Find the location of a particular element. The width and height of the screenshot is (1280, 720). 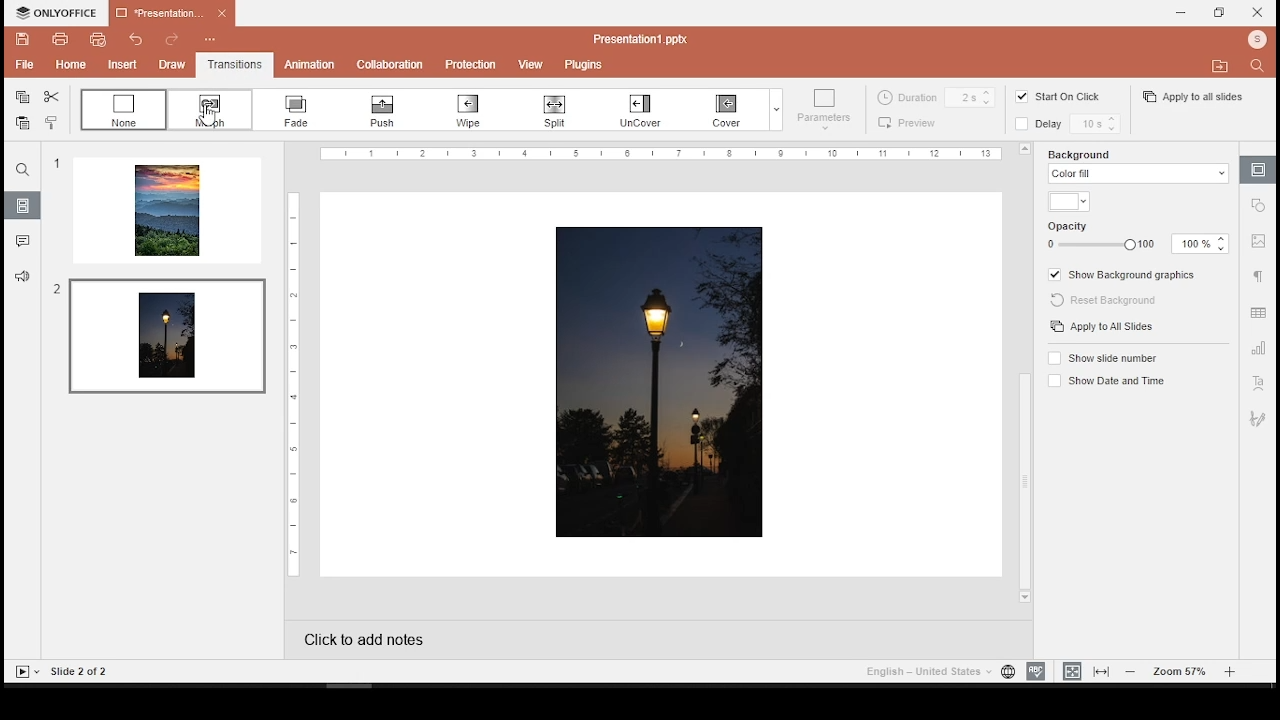

support and feedback is located at coordinates (22, 275).